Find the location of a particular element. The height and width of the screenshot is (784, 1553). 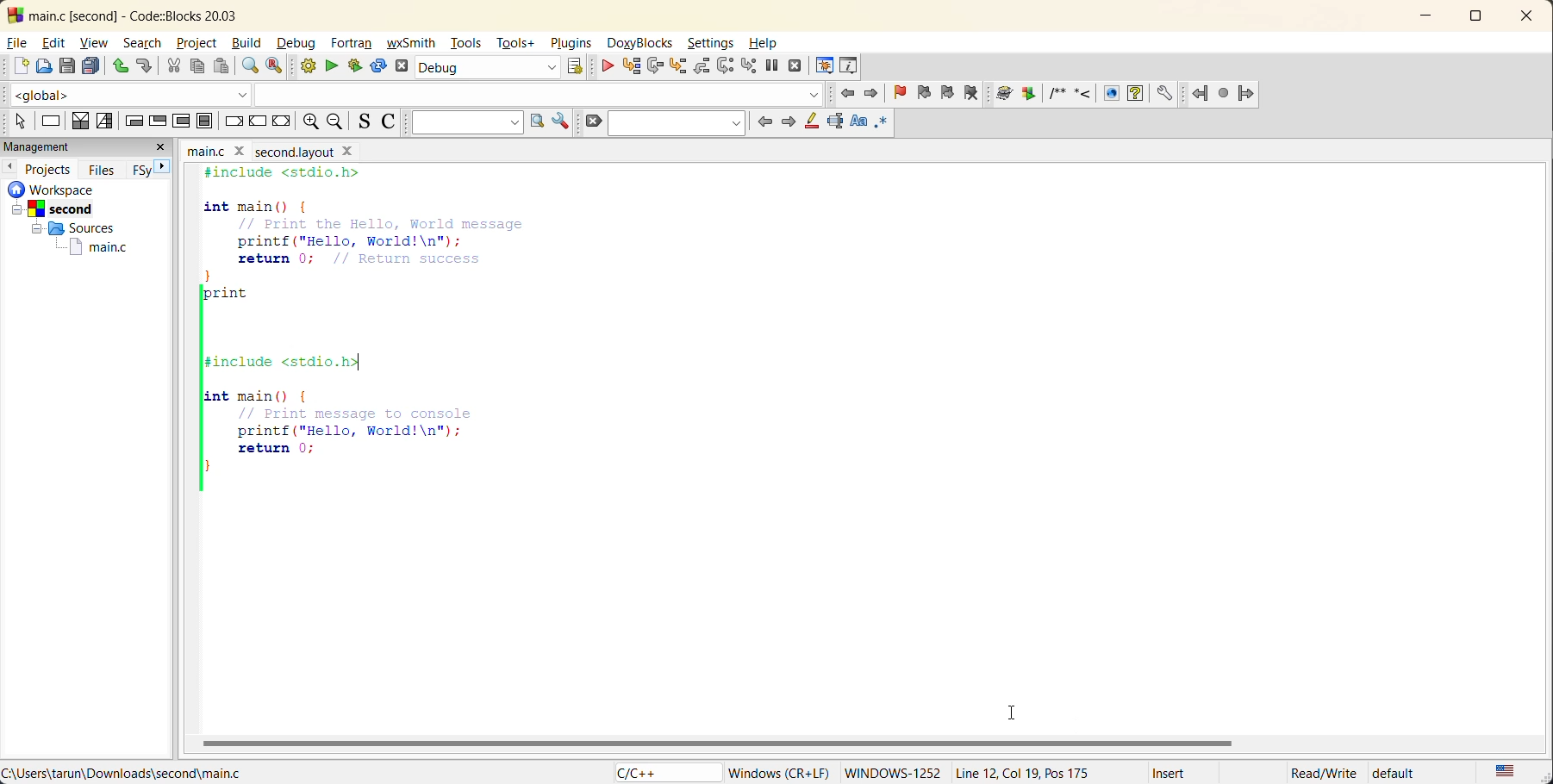

debugging windows is located at coordinates (824, 65).